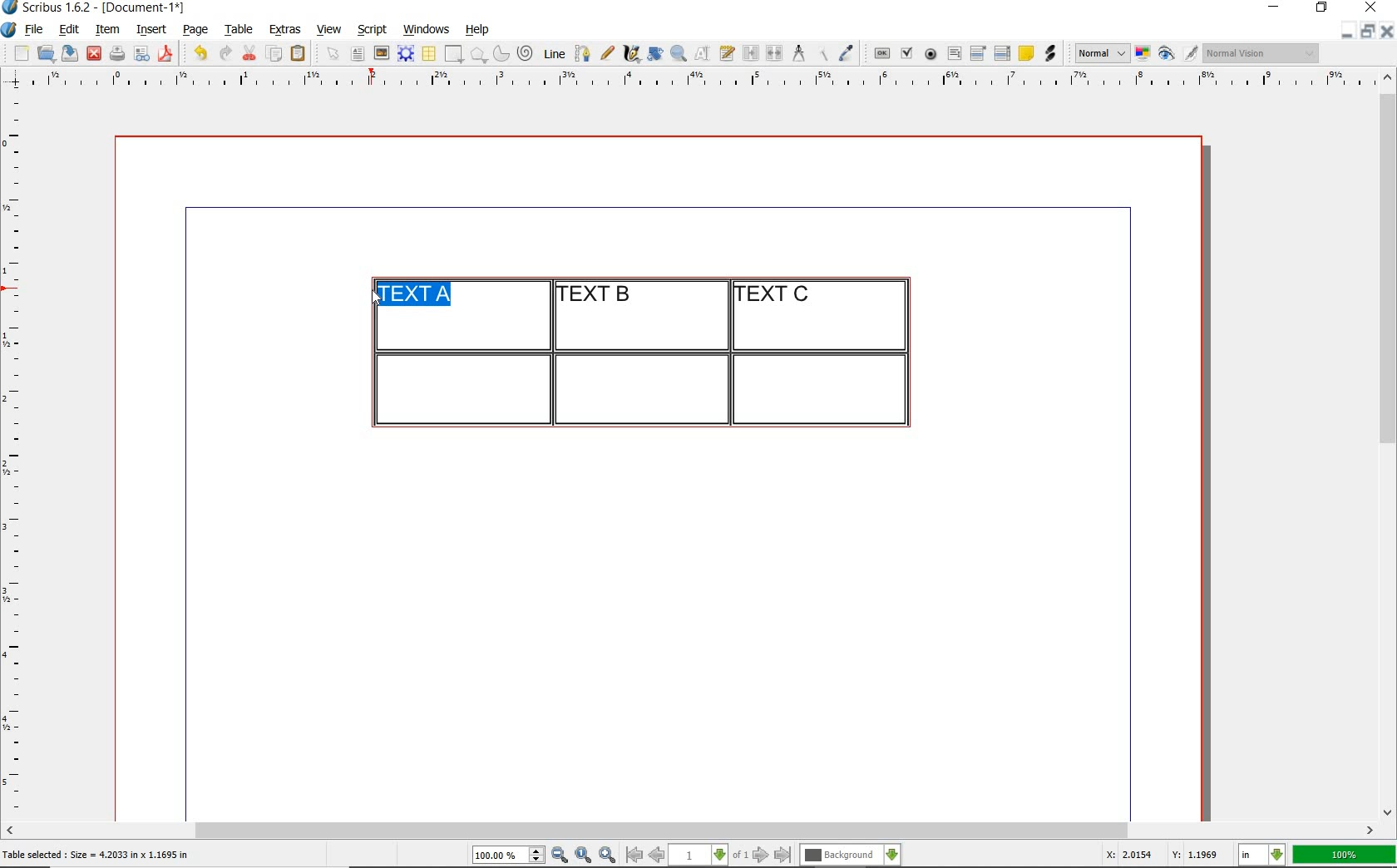  What do you see at coordinates (509, 855) in the screenshot?
I see `select current zoom level` at bounding box center [509, 855].